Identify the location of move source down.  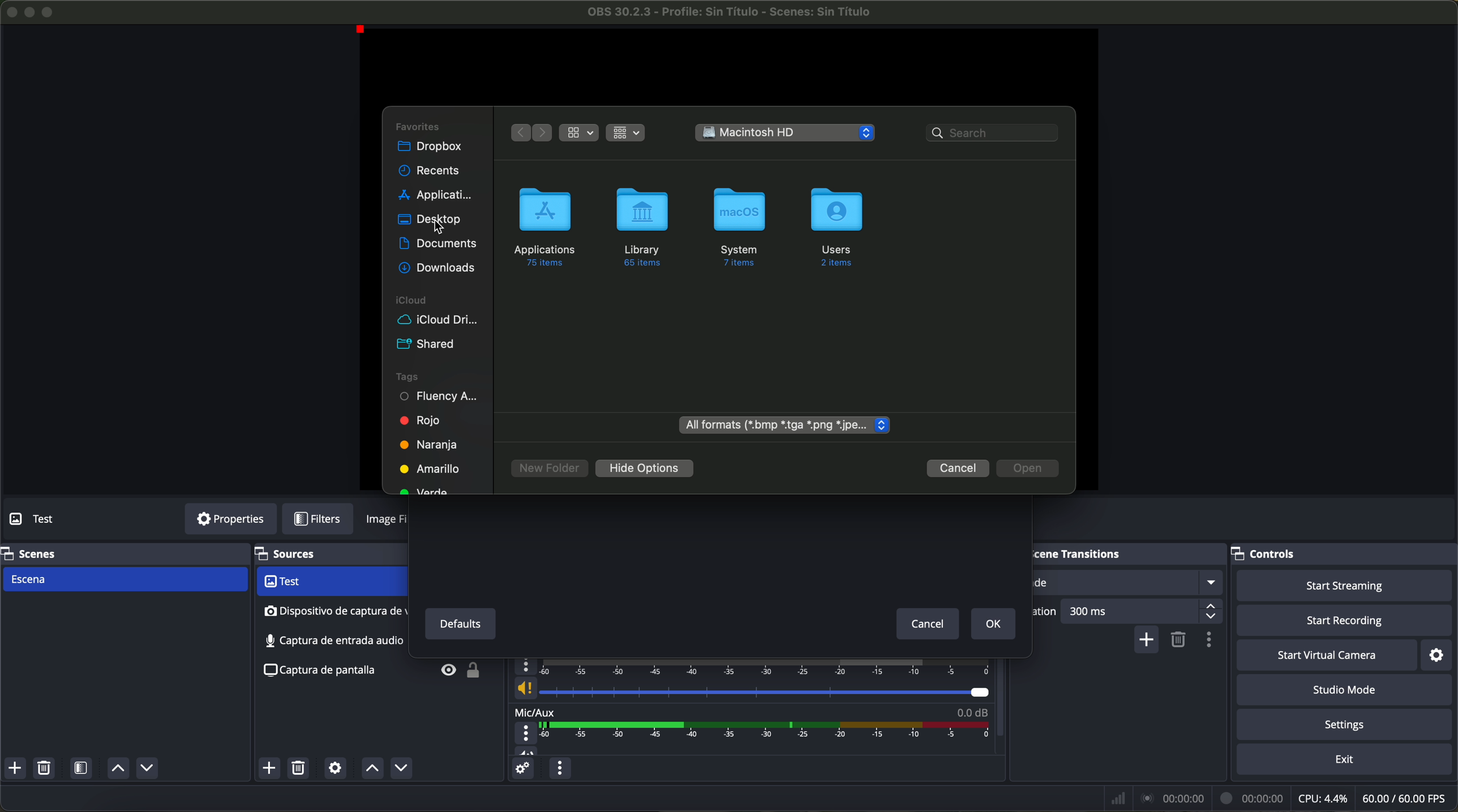
(398, 769).